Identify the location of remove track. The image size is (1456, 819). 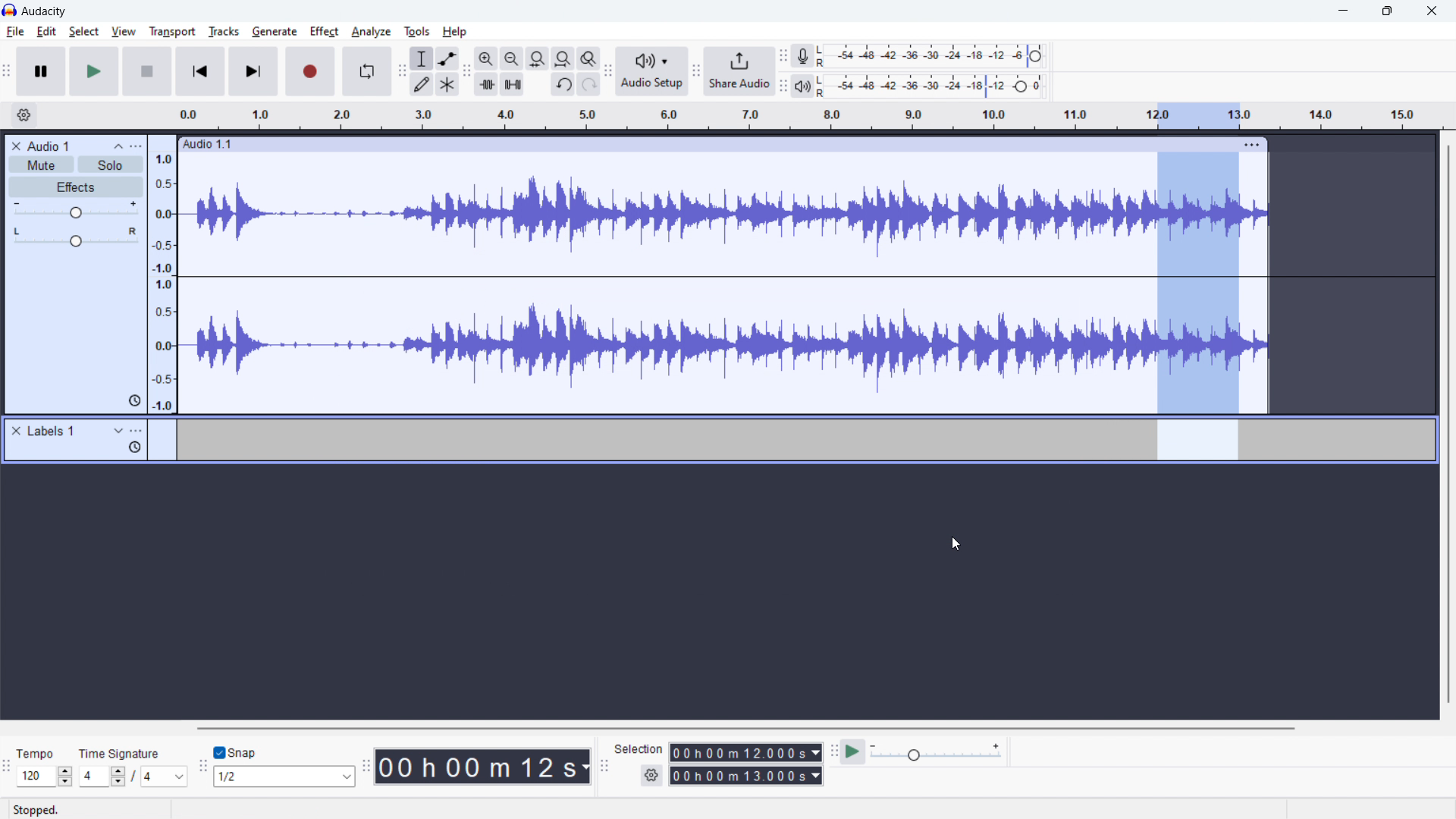
(16, 146).